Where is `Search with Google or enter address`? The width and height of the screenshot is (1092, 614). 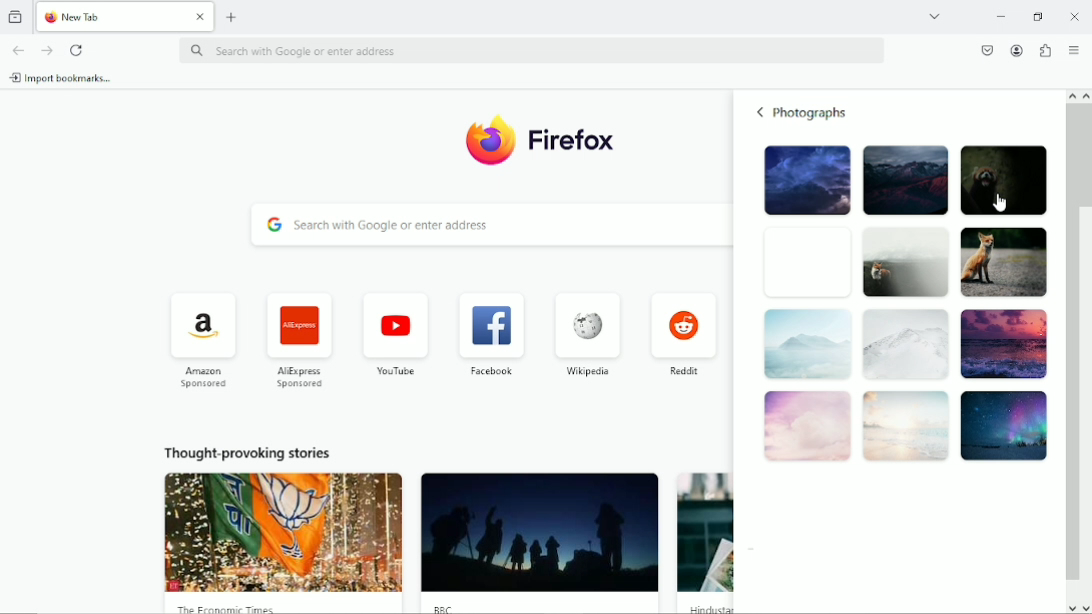
Search with Google or enter address is located at coordinates (527, 49).